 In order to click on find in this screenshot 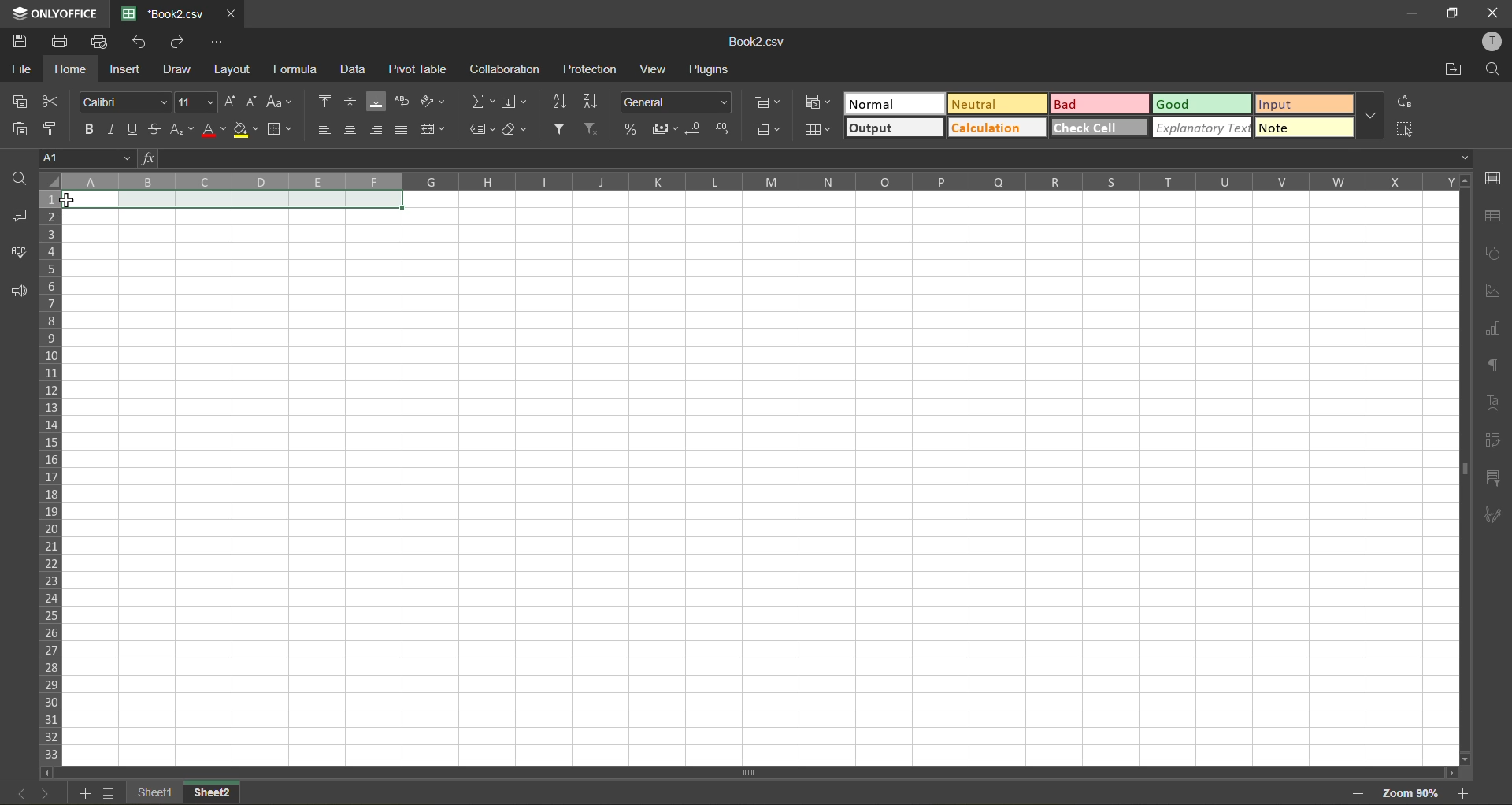, I will do `click(1494, 70)`.